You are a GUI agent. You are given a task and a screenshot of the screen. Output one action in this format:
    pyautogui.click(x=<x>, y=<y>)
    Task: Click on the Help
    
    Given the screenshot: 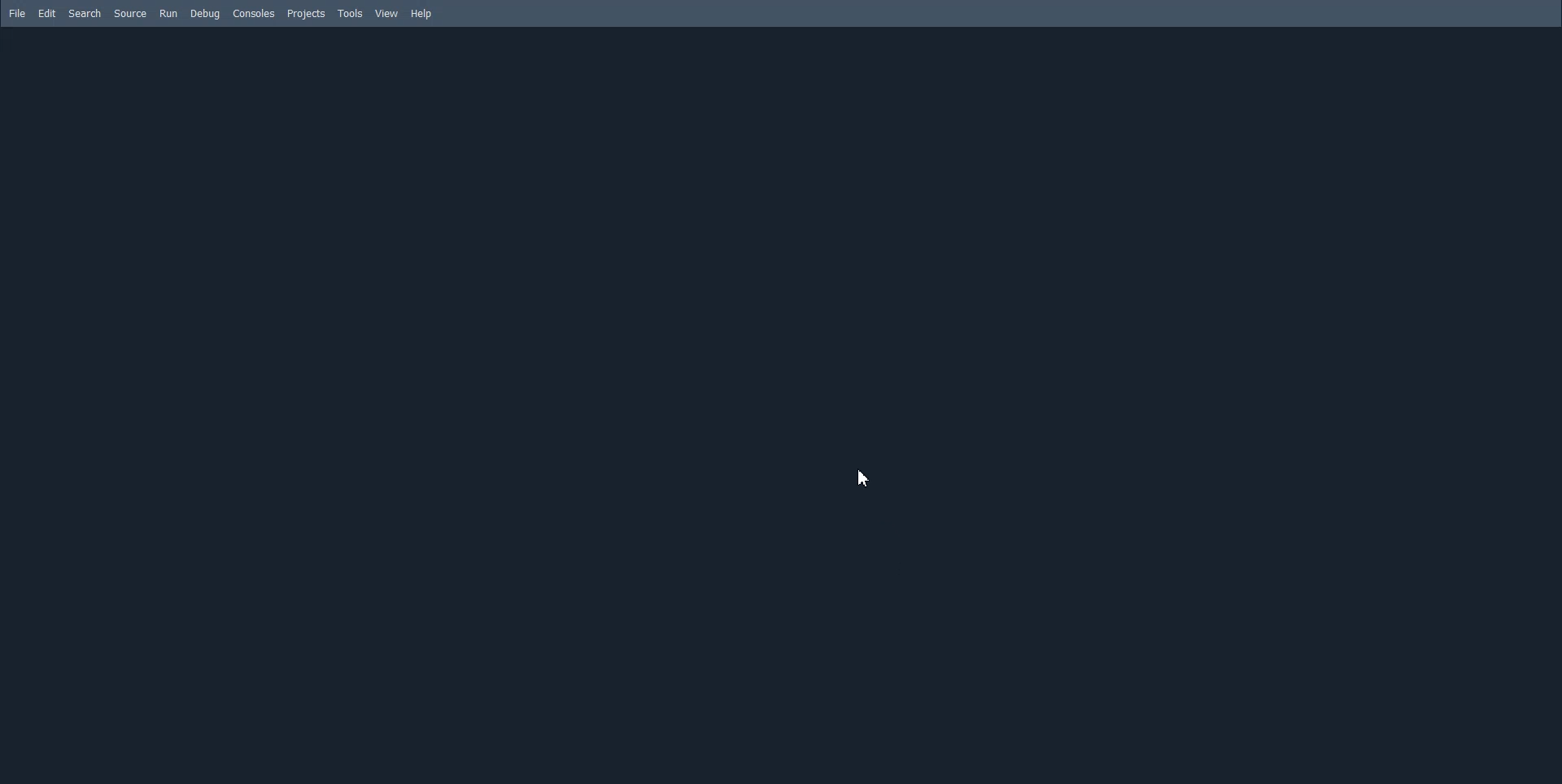 What is the action you would take?
    pyautogui.click(x=422, y=14)
    